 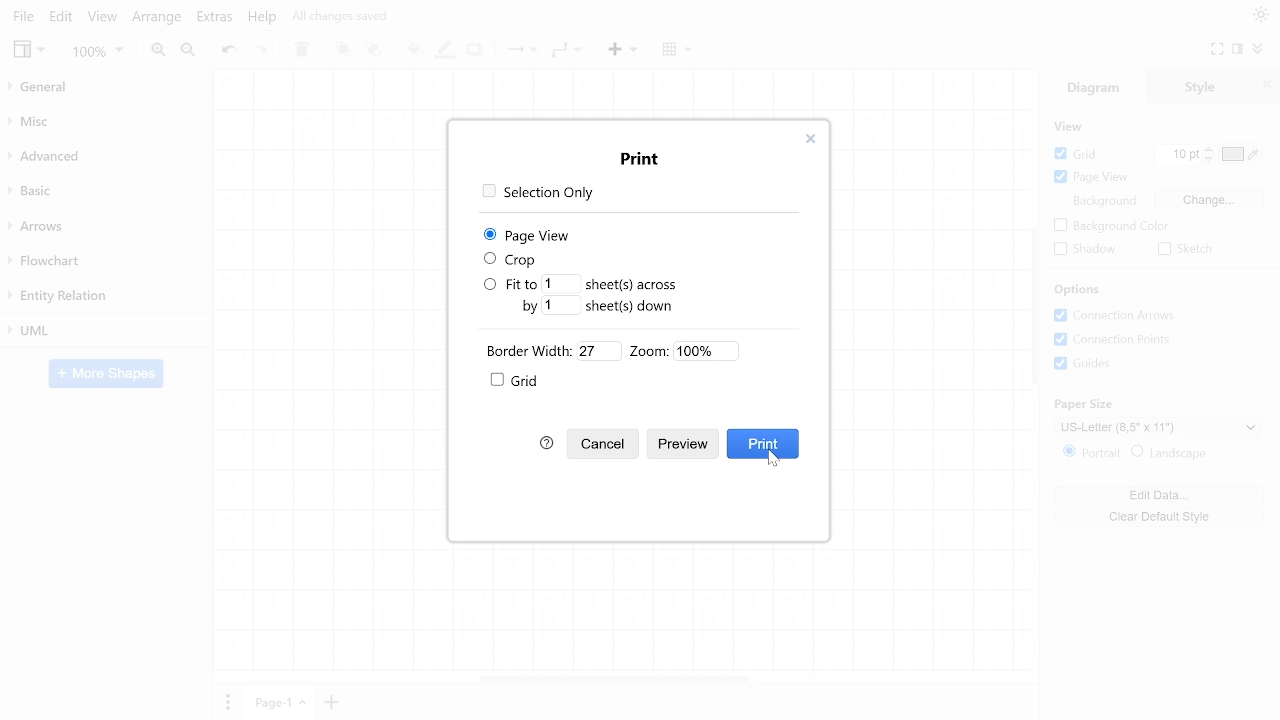 I want to click on More shapes, so click(x=110, y=374).